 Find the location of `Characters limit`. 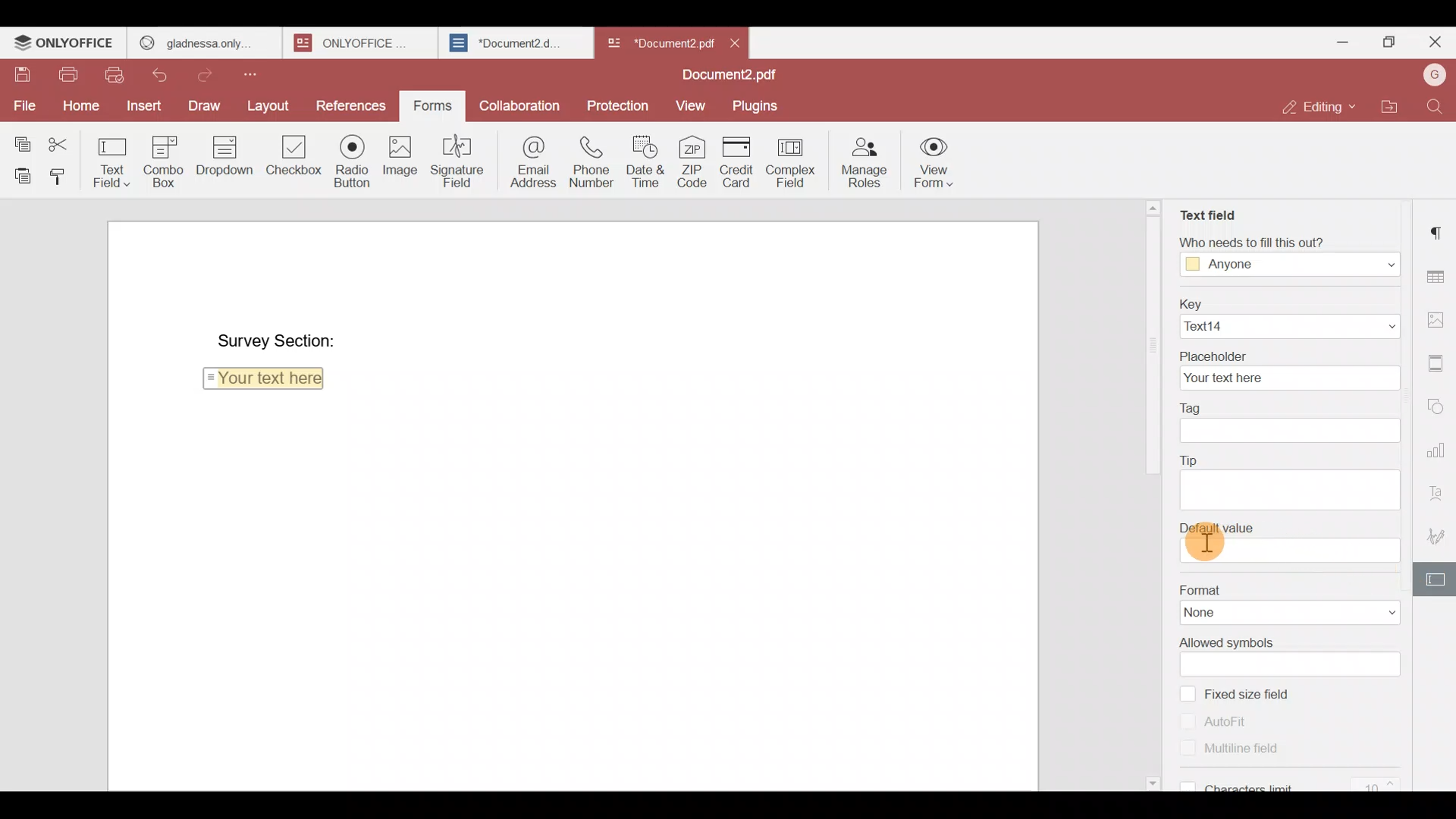

Characters limit is located at coordinates (1296, 783).